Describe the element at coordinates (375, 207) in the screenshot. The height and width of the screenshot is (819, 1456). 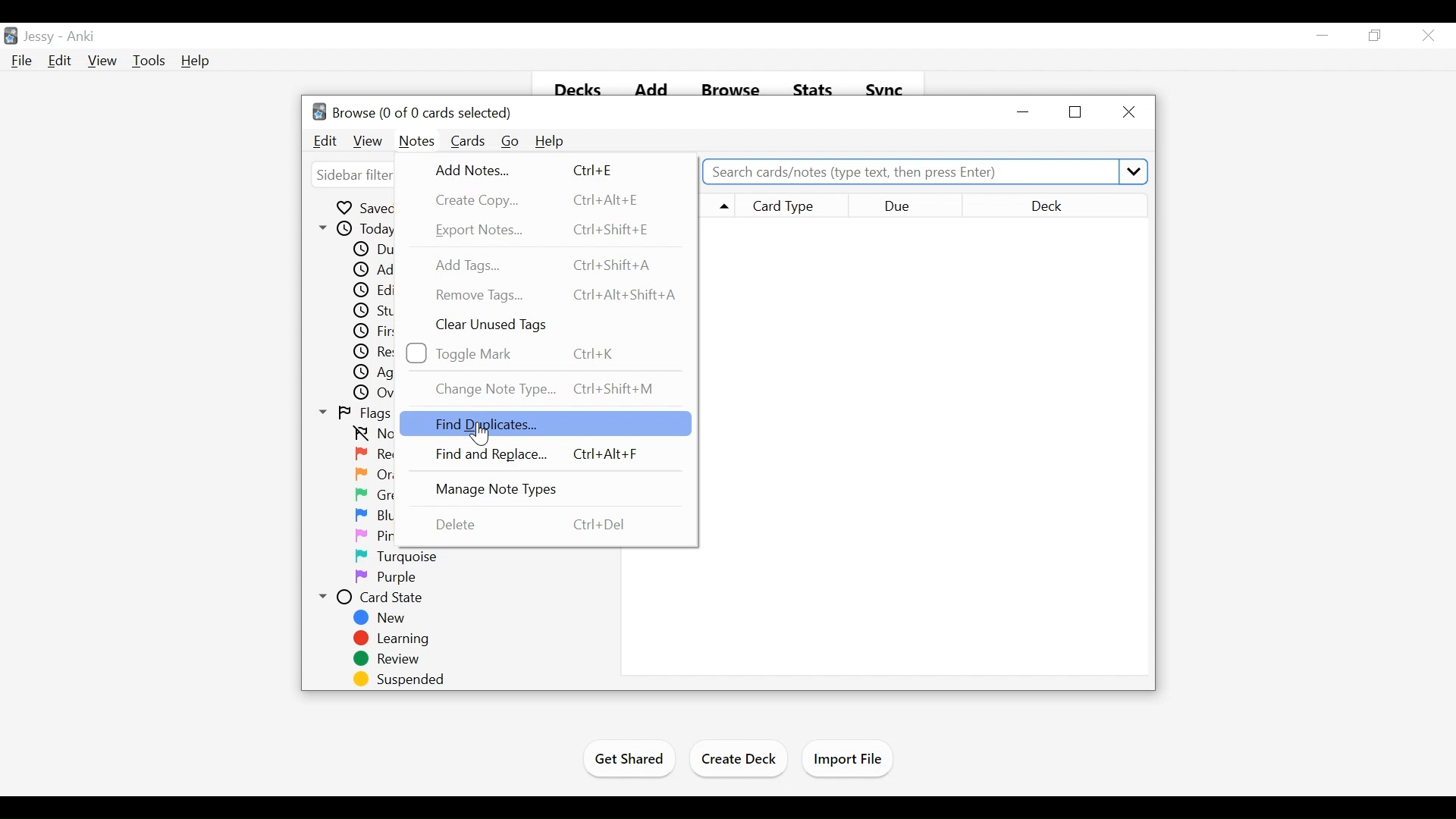
I see `Saved Searches` at that location.